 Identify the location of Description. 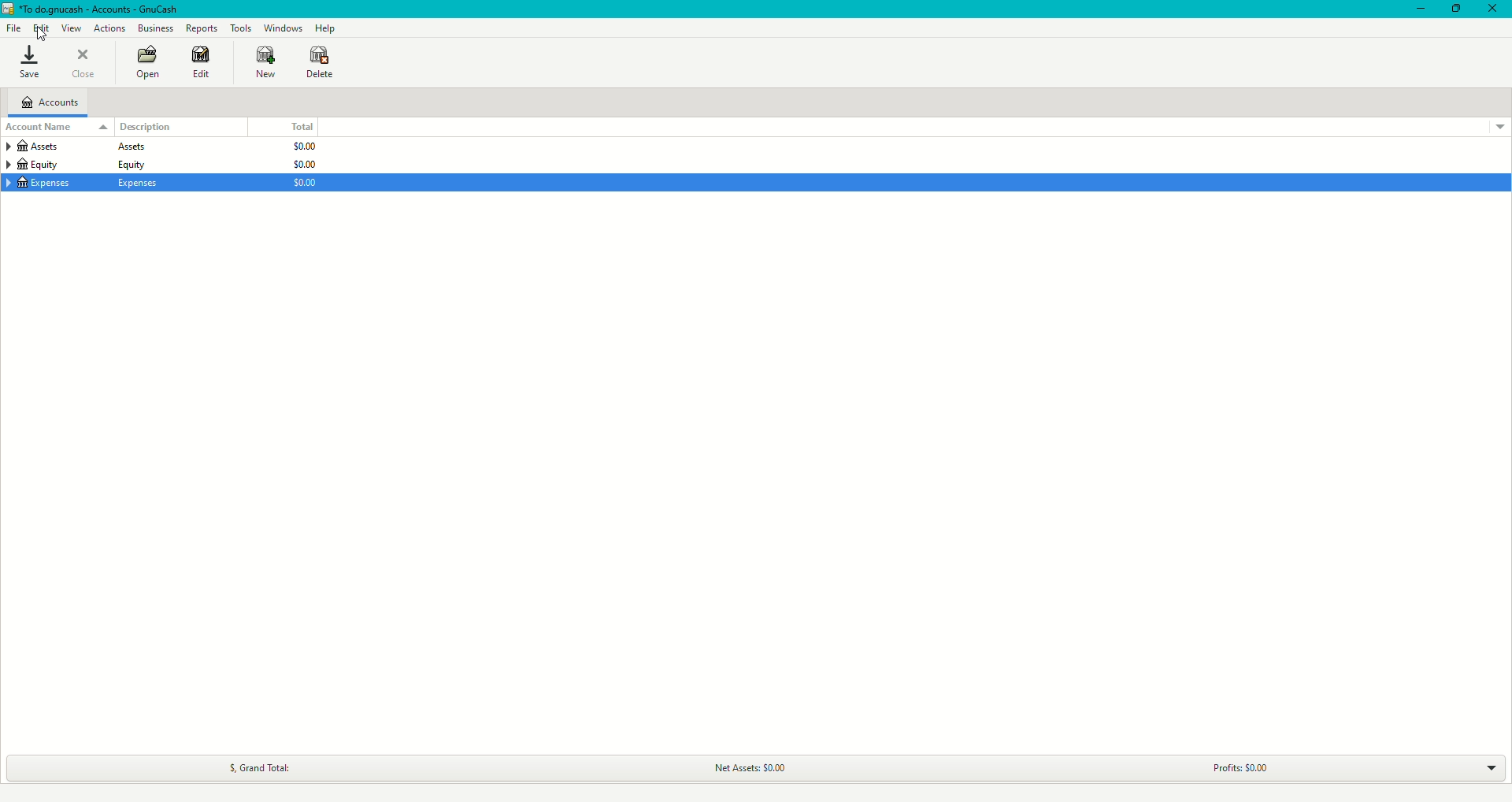
(146, 127).